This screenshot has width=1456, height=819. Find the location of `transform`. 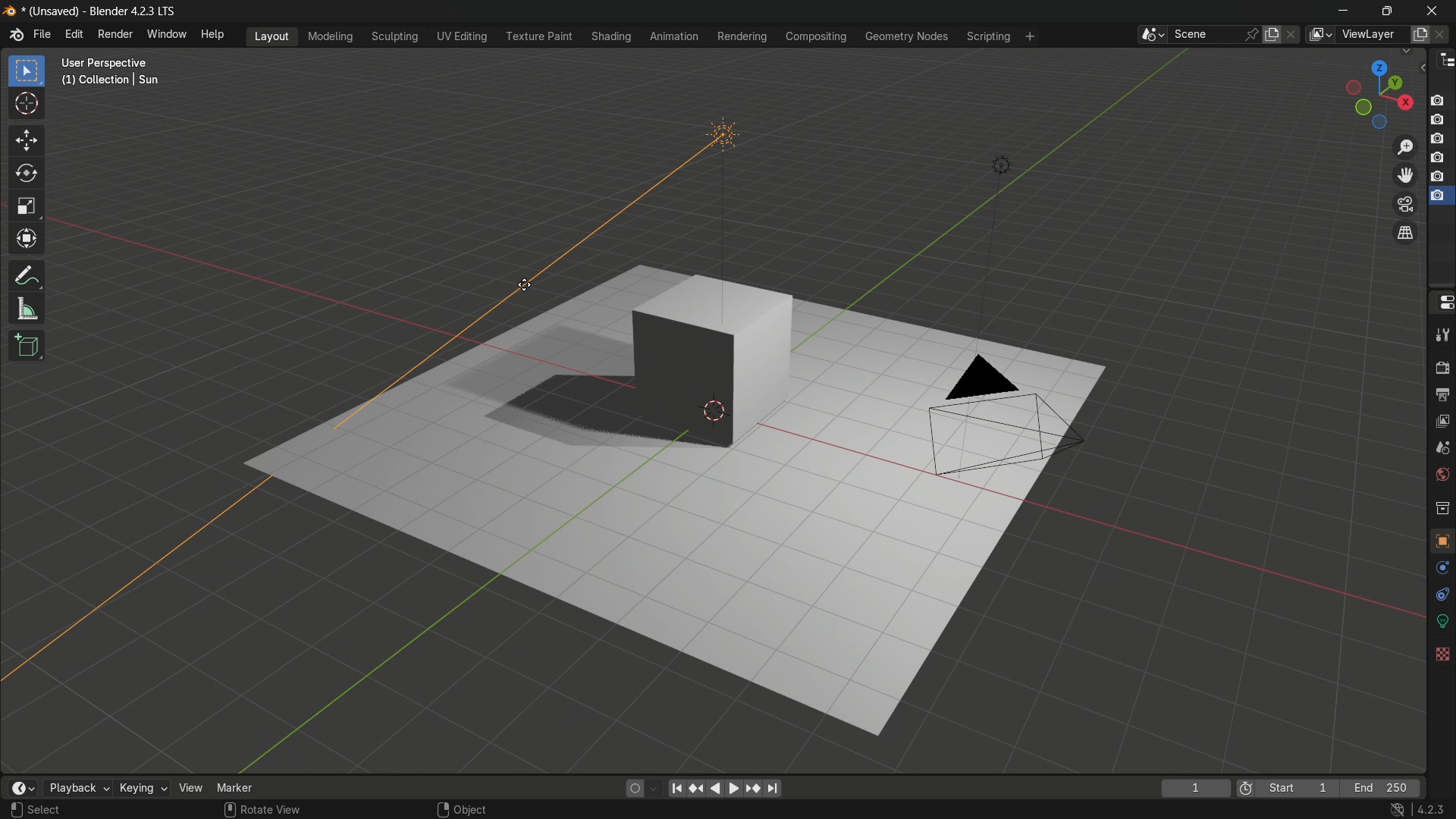

transform is located at coordinates (29, 241).